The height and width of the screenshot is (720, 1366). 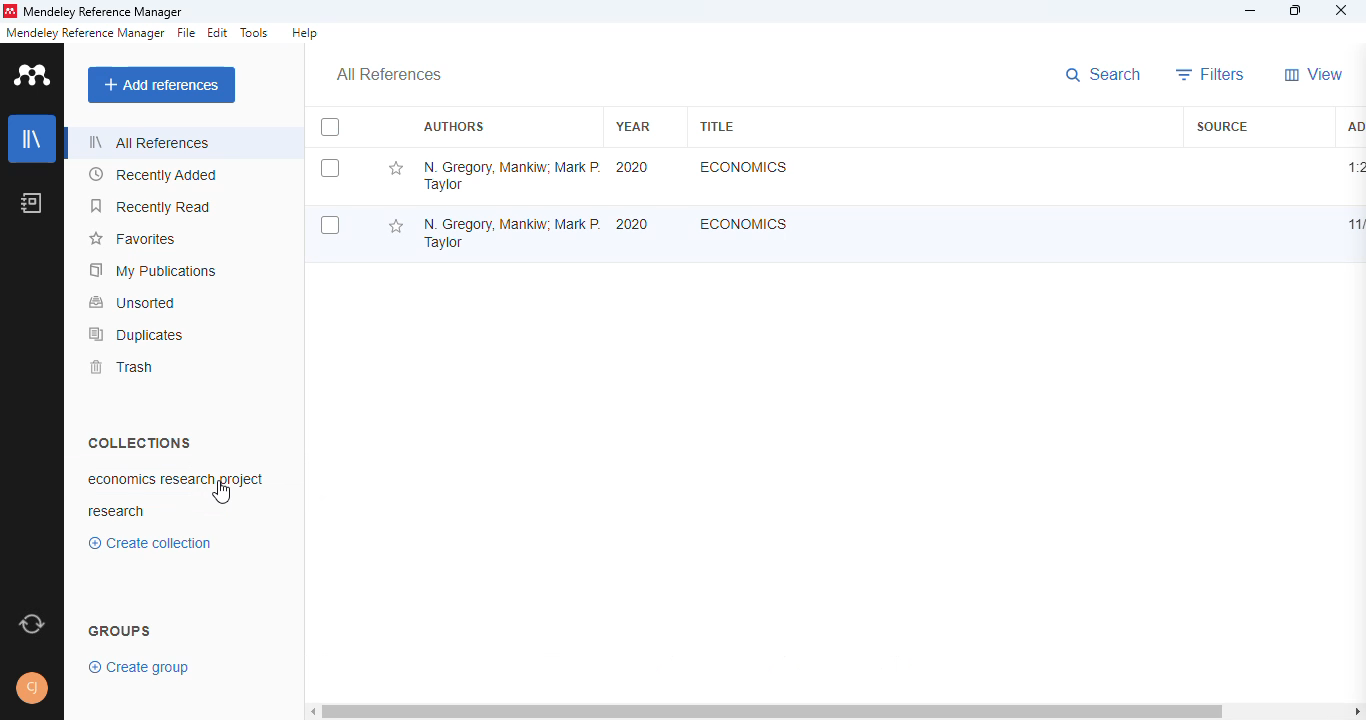 What do you see at coordinates (222, 495) in the screenshot?
I see `cursor` at bounding box center [222, 495].